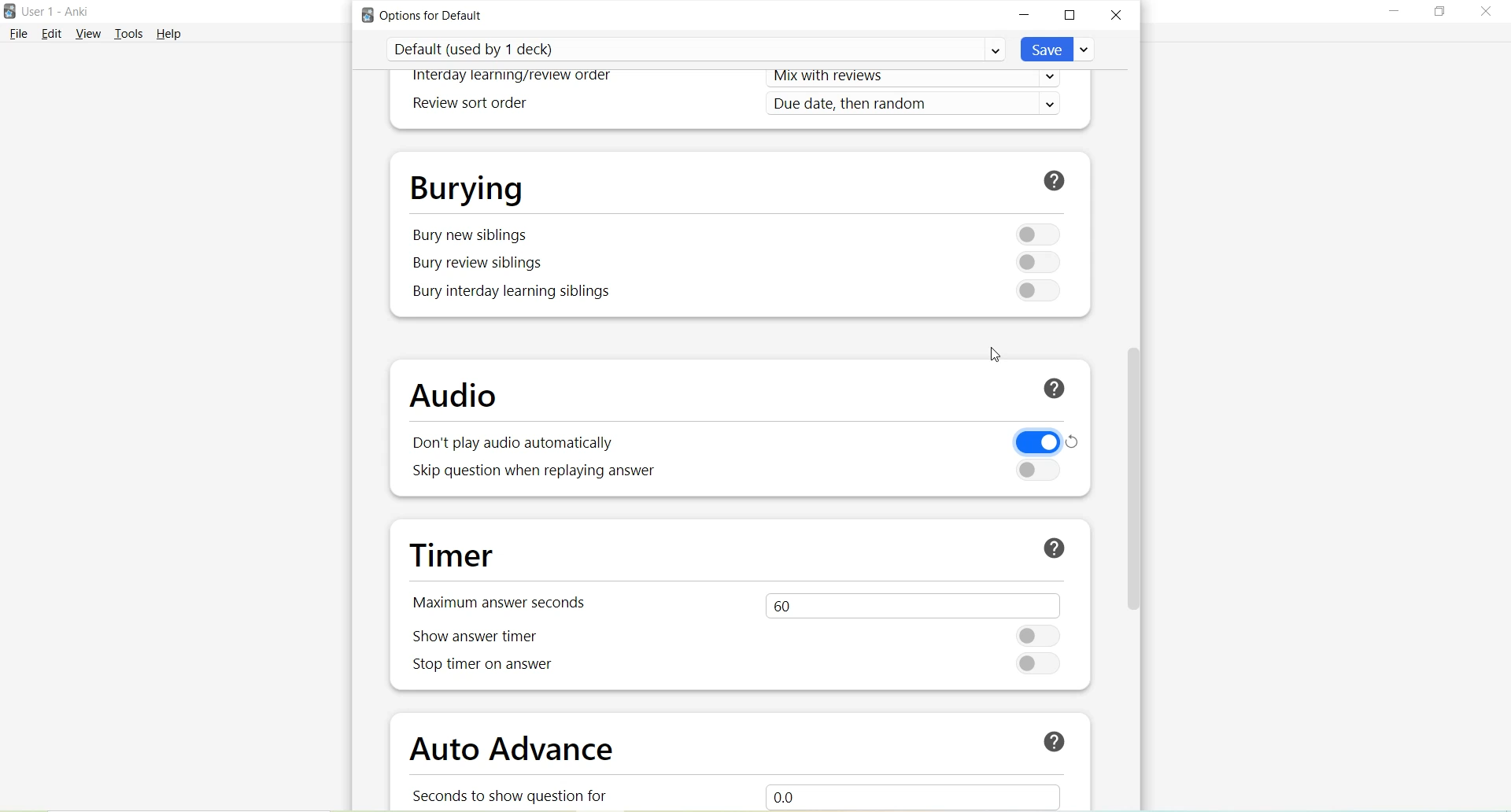 This screenshot has height=812, width=1511. Describe the element at coordinates (515, 752) in the screenshot. I see `Auto Advance` at that location.